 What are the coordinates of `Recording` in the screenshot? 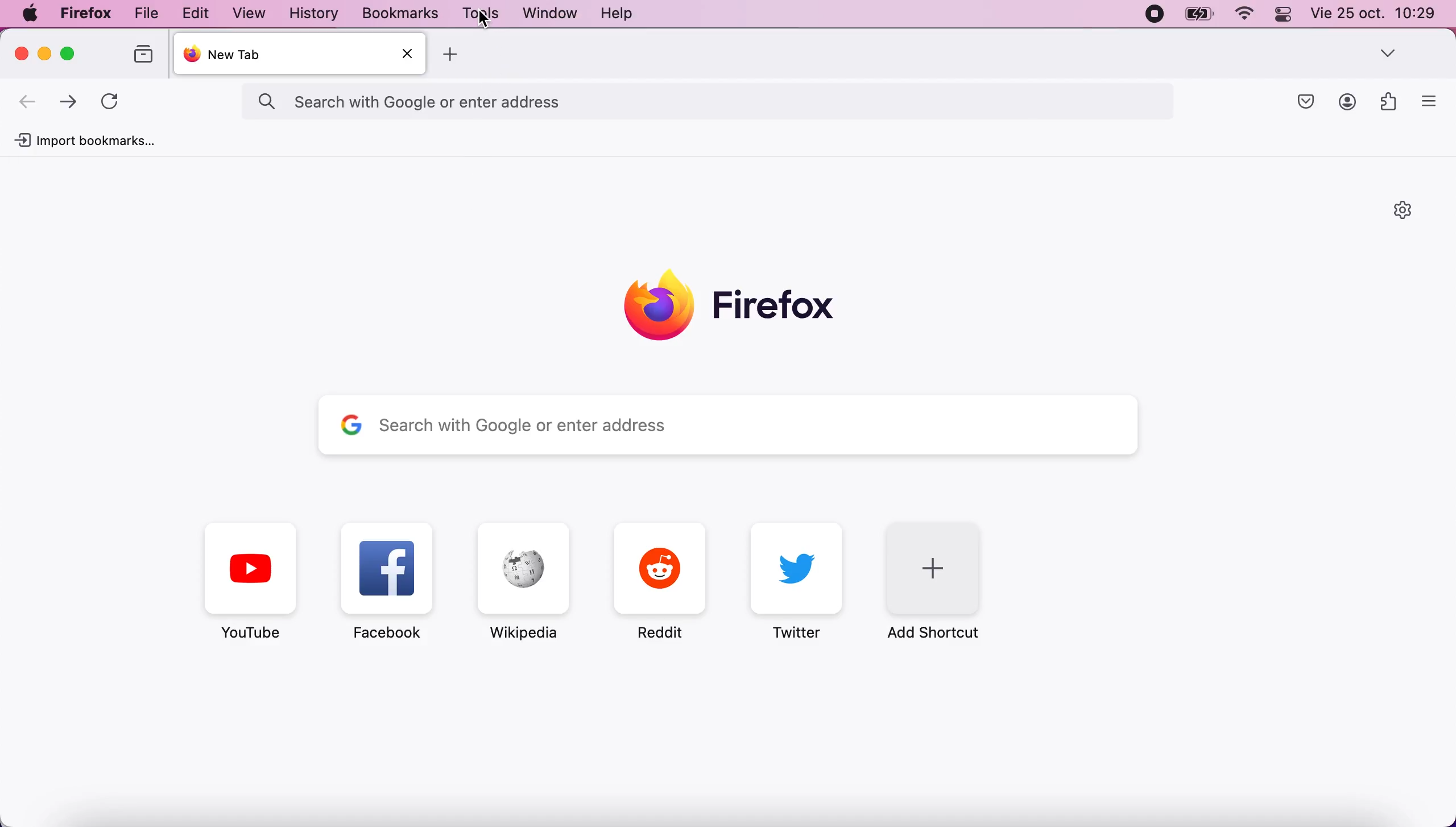 It's located at (1156, 14).